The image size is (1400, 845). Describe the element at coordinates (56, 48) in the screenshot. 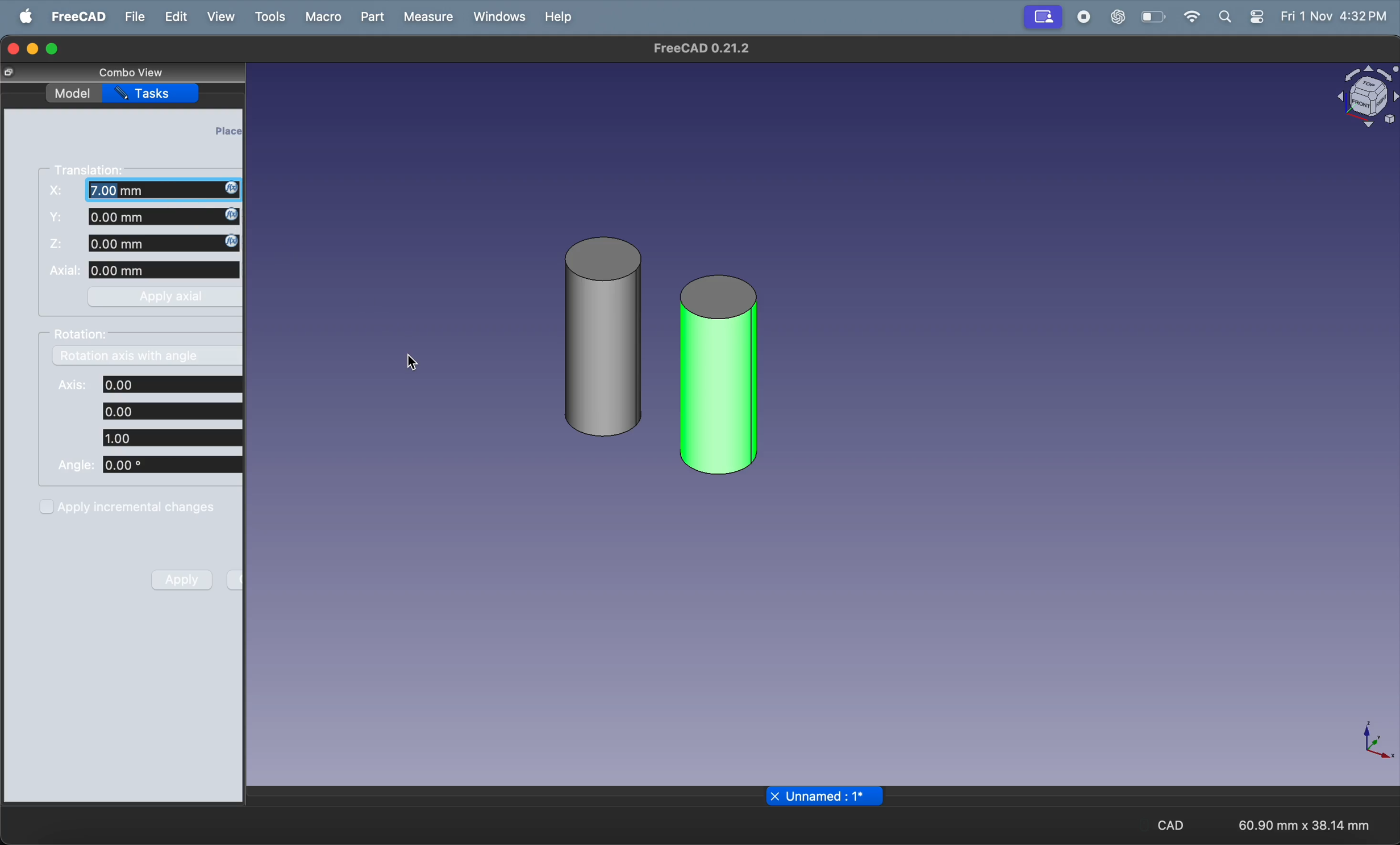

I see `maximize` at that location.